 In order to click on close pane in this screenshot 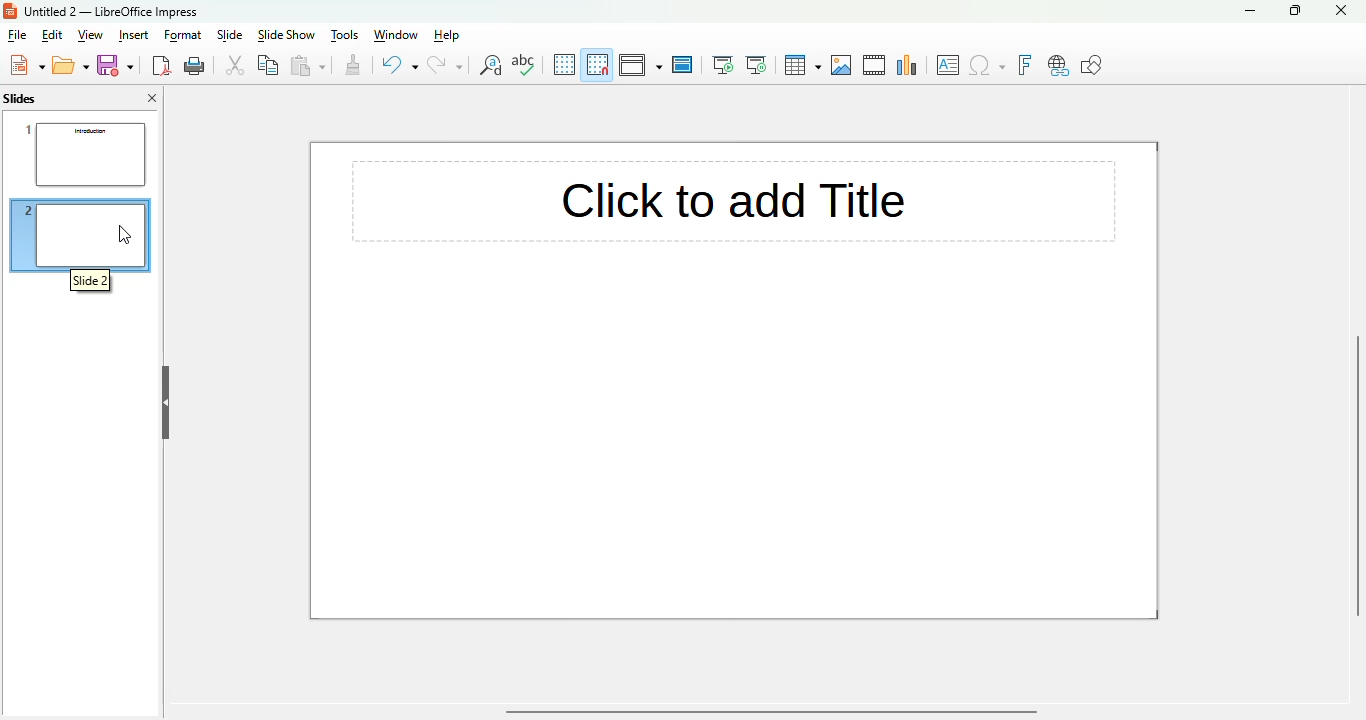, I will do `click(152, 97)`.